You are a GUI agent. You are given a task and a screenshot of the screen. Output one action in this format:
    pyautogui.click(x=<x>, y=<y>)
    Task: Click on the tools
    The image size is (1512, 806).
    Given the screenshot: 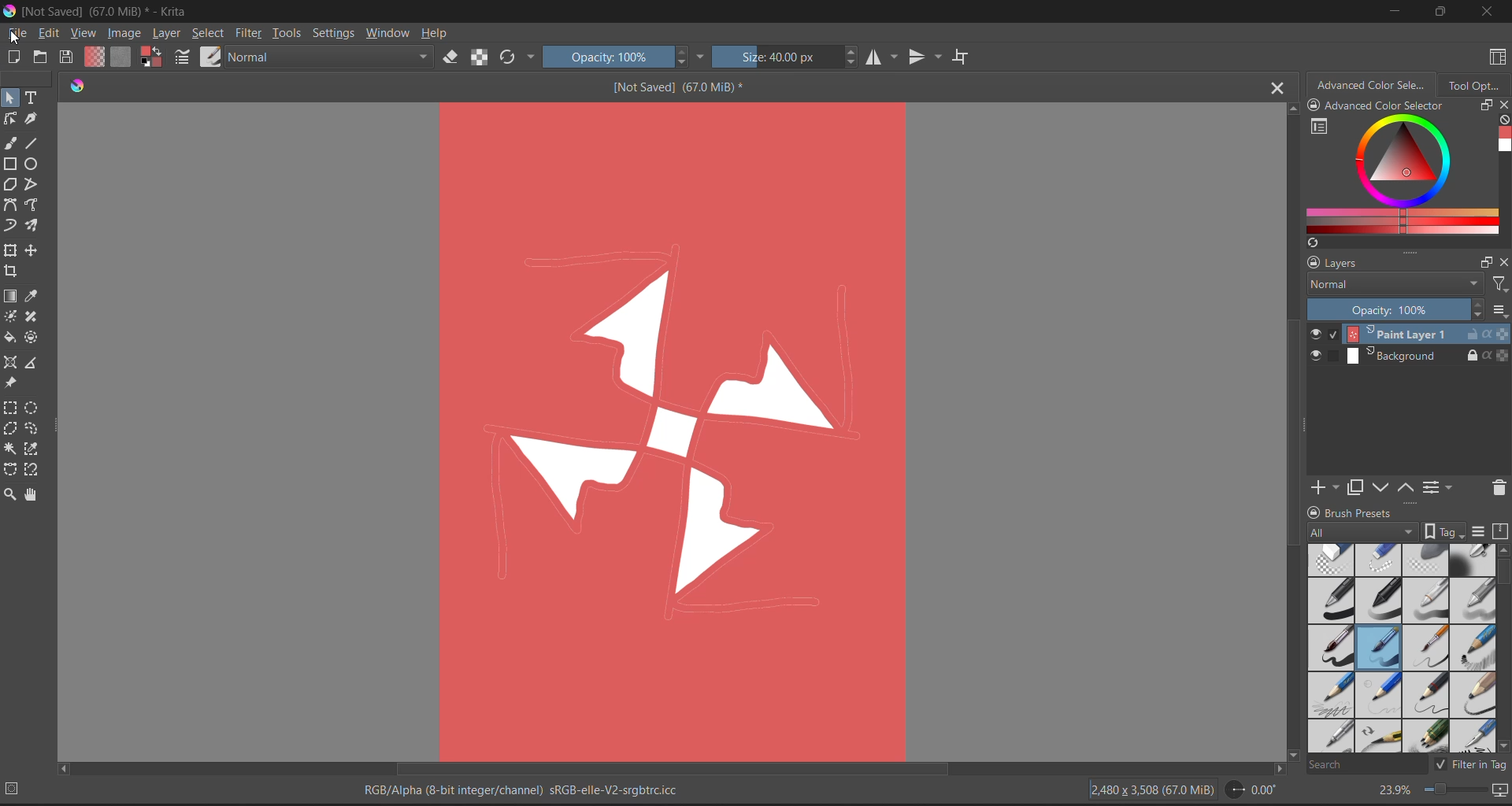 What is the action you would take?
    pyautogui.click(x=33, y=298)
    